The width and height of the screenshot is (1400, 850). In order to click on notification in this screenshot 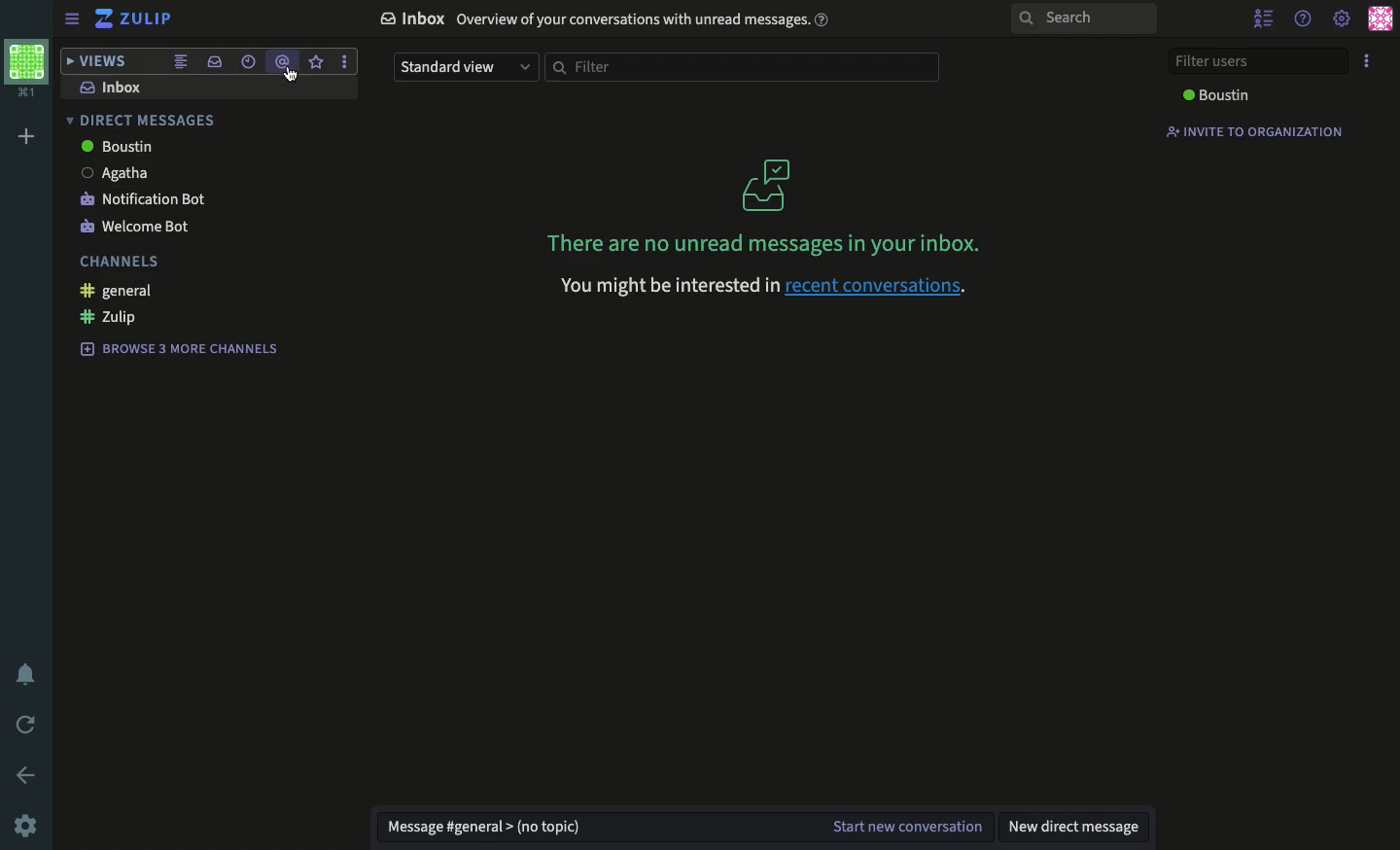, I will do `click(30, 673)`.